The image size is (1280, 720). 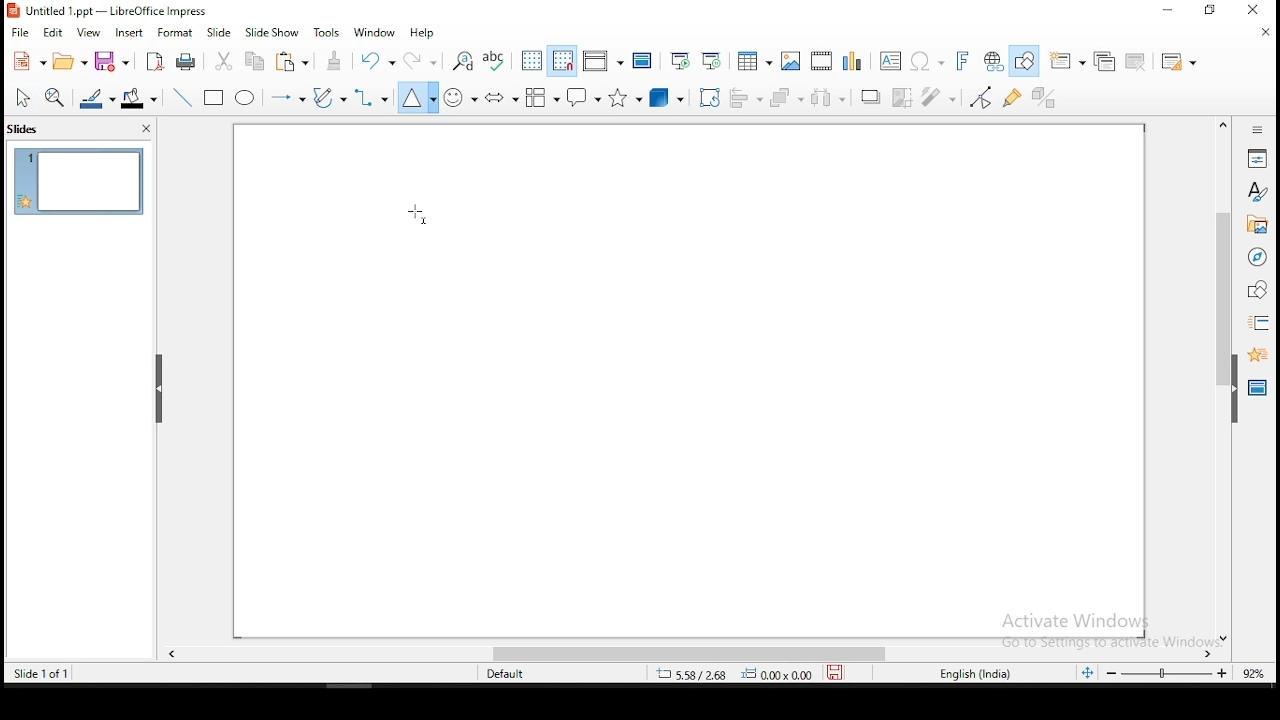 I want to click on icon and file name, so click(x=111, y=11).